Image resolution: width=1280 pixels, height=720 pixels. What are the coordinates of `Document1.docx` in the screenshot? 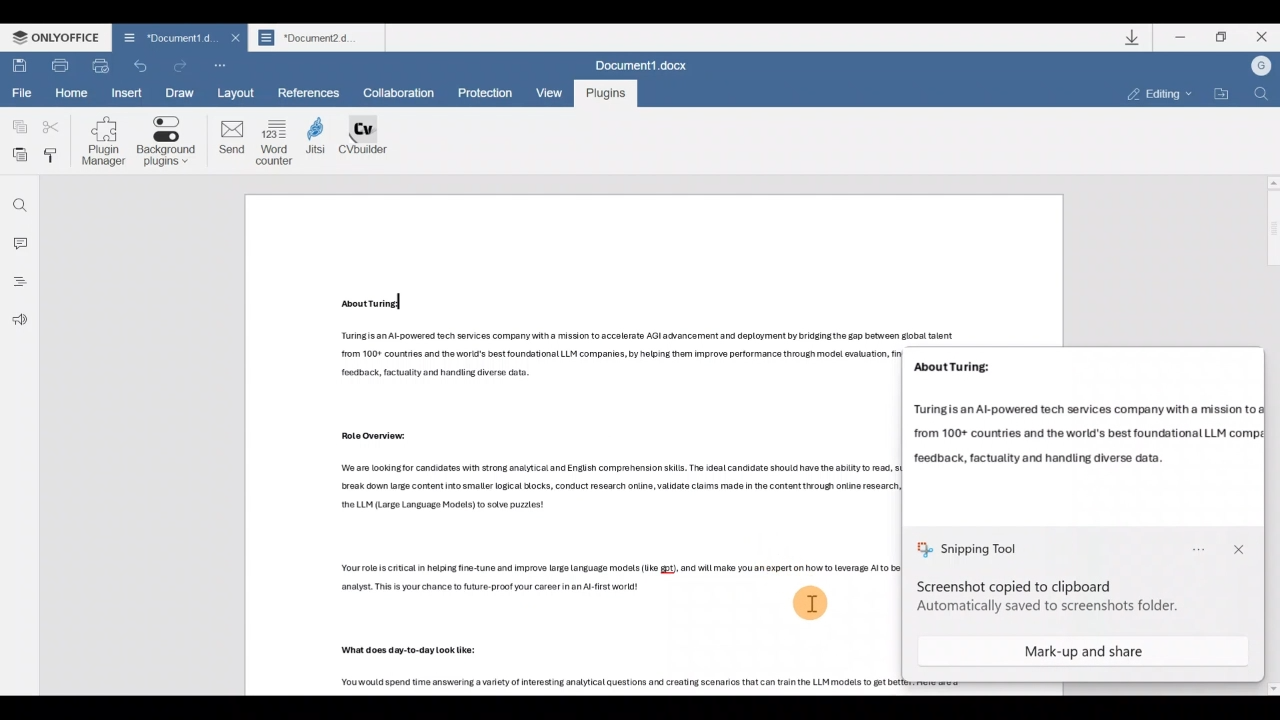 It's located at (646, 64).